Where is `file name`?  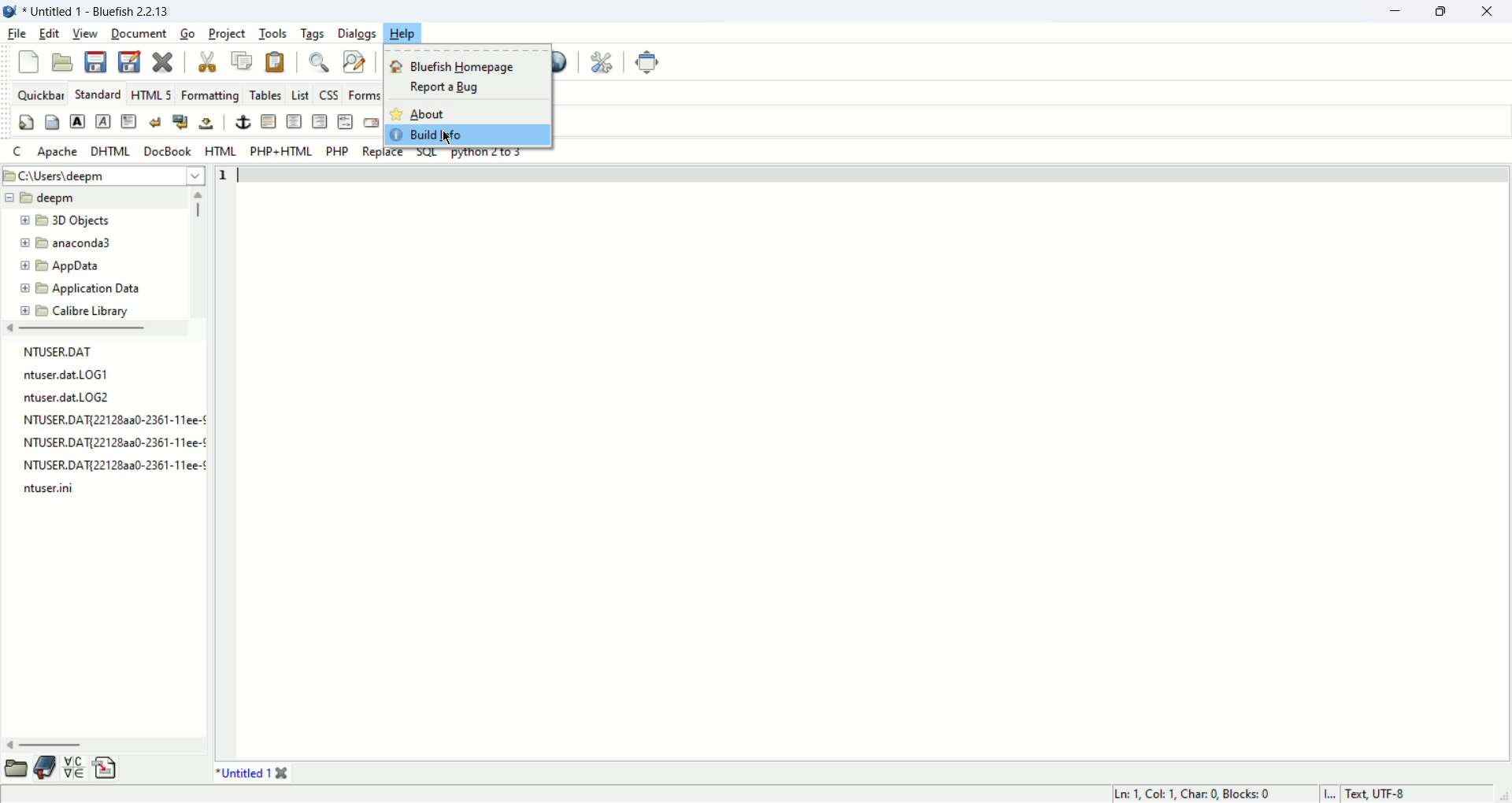
file name is located at coordinates (114, 442).